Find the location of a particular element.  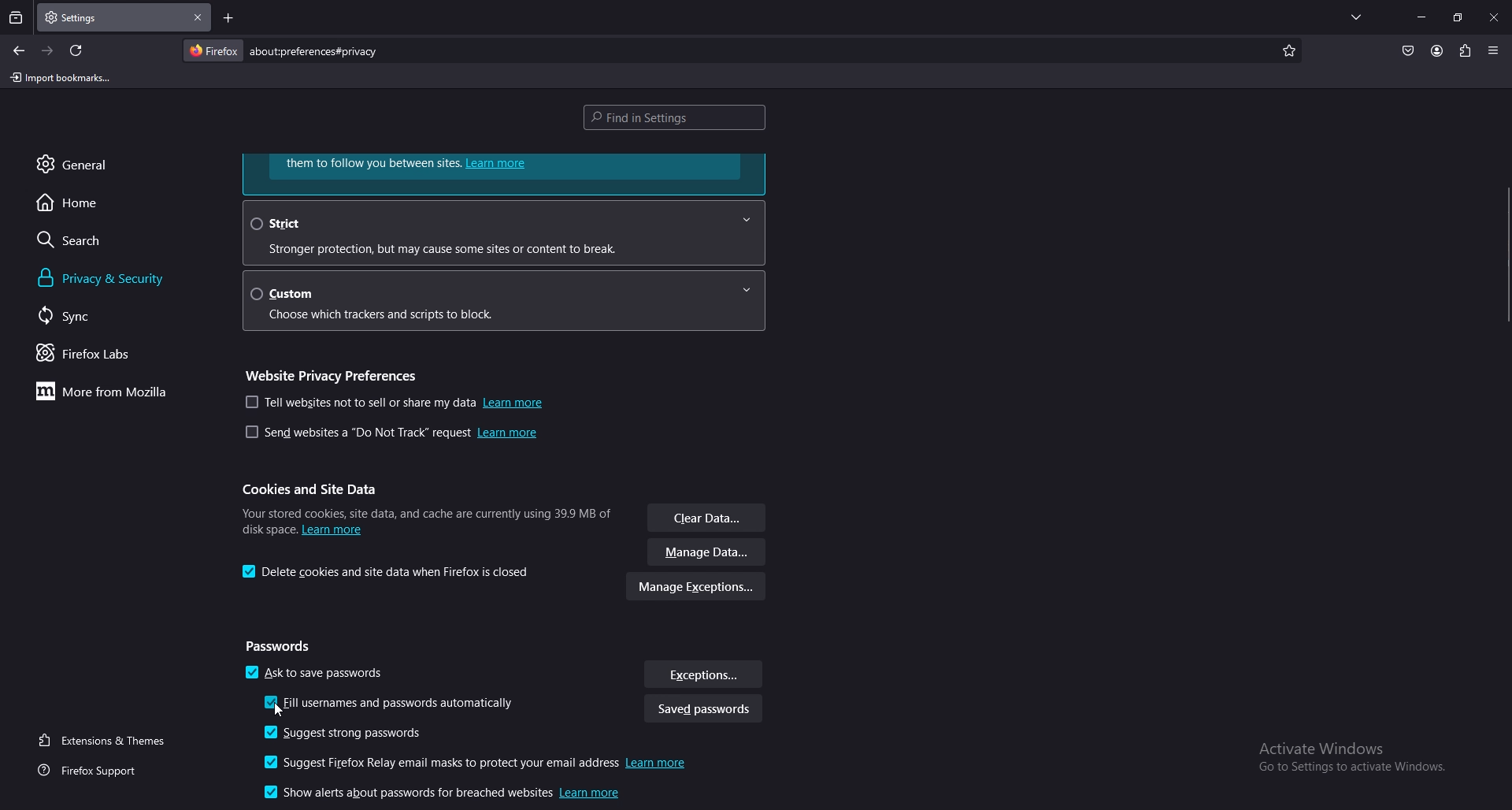

strict is located at coordinates (502, 232).